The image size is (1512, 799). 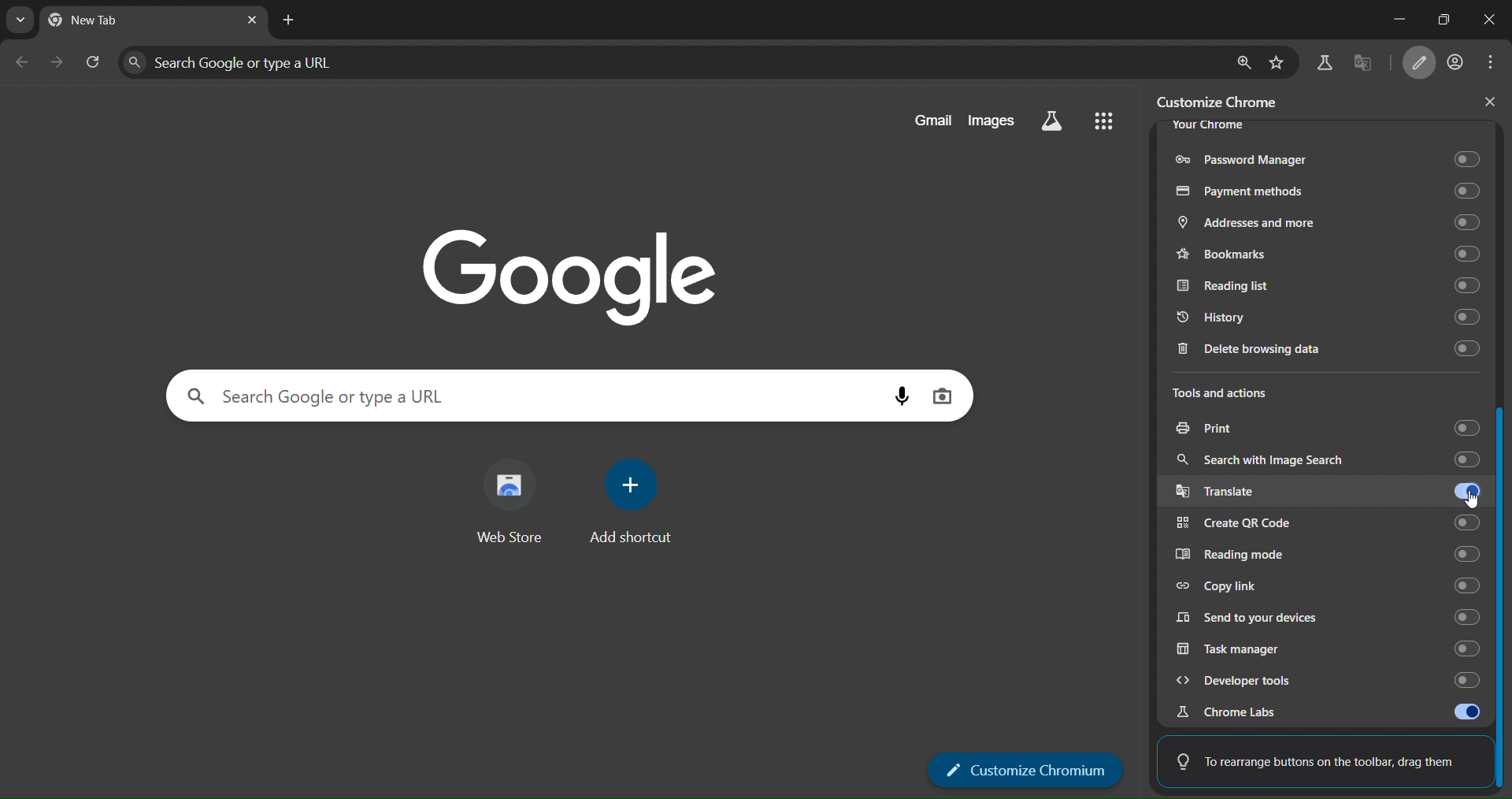 I want to click on translate, so click(x=1327, y=492).